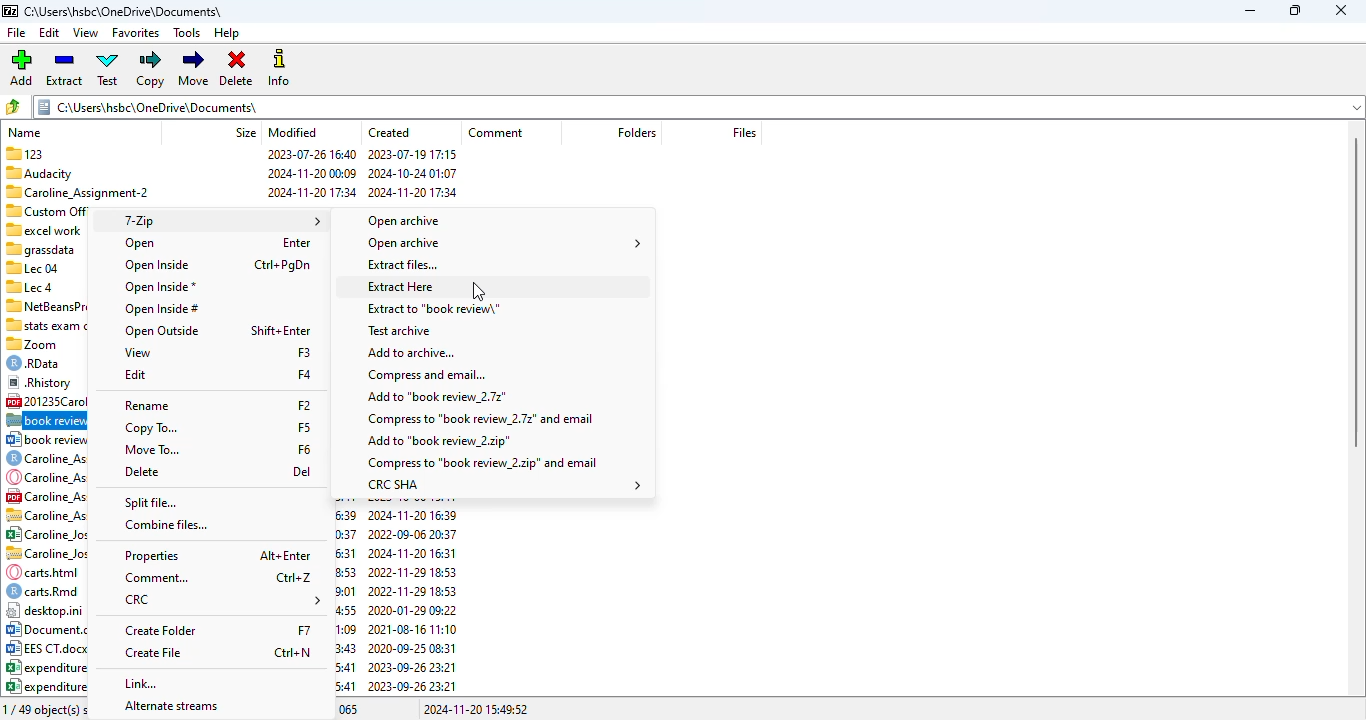  What do you see at coordinates (303, 449) in the screenshot?
I see `shortcut for move to` at bounding box center [303, 449].